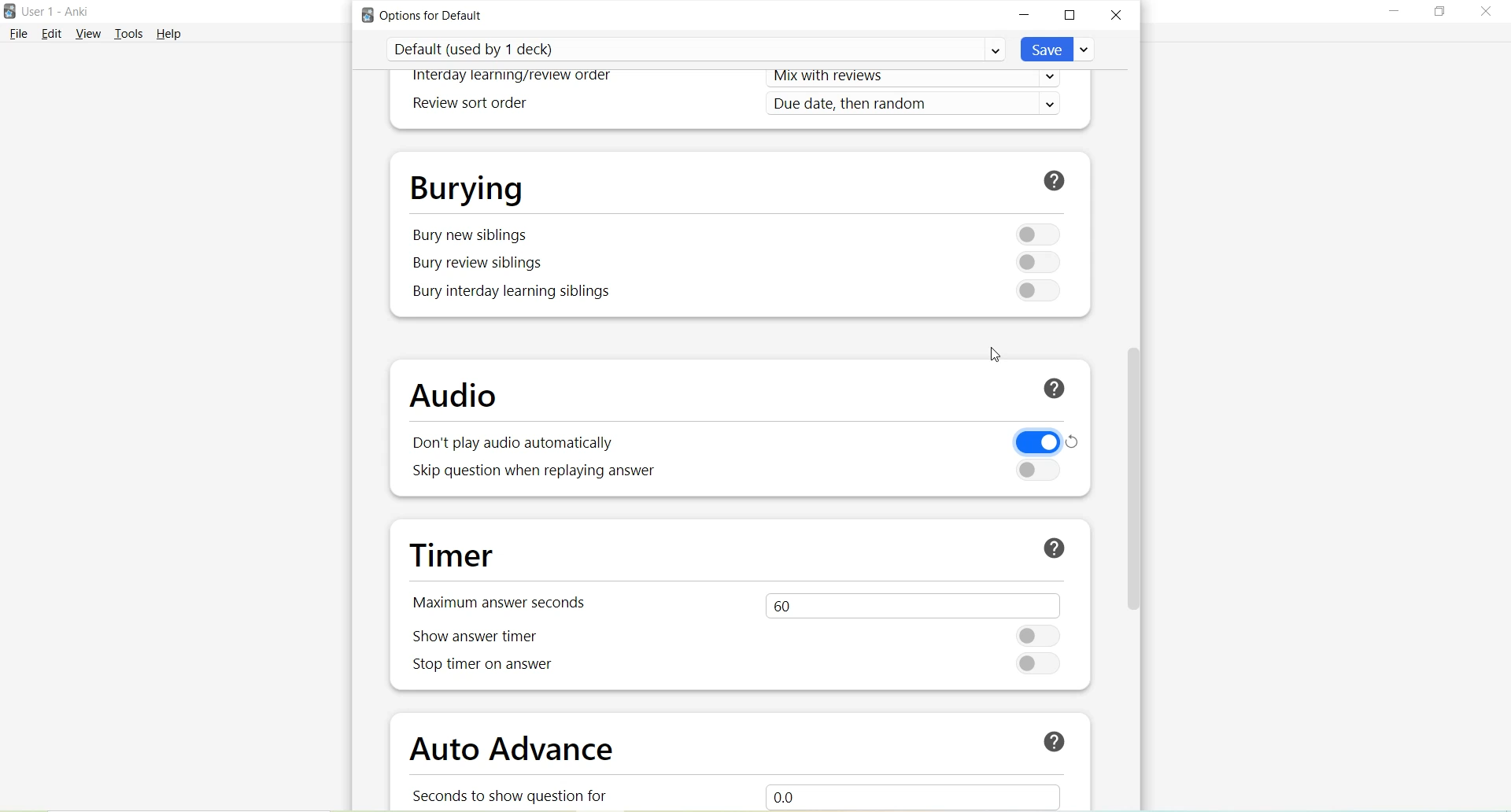 This screenshot has width=1511, height=812. I want to click on View, so click(91, 33).